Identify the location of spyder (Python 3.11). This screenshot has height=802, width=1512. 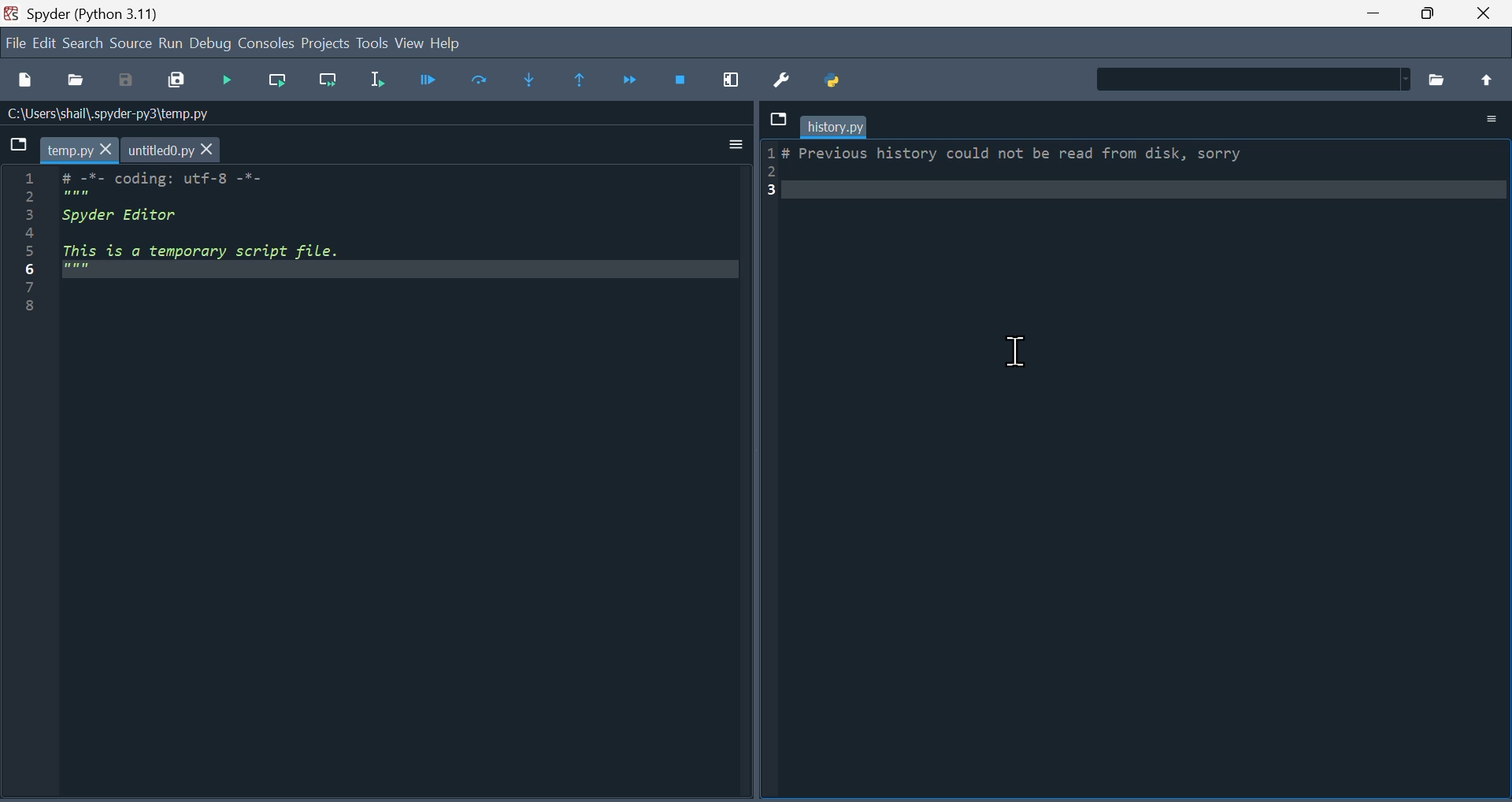
(102, 14).